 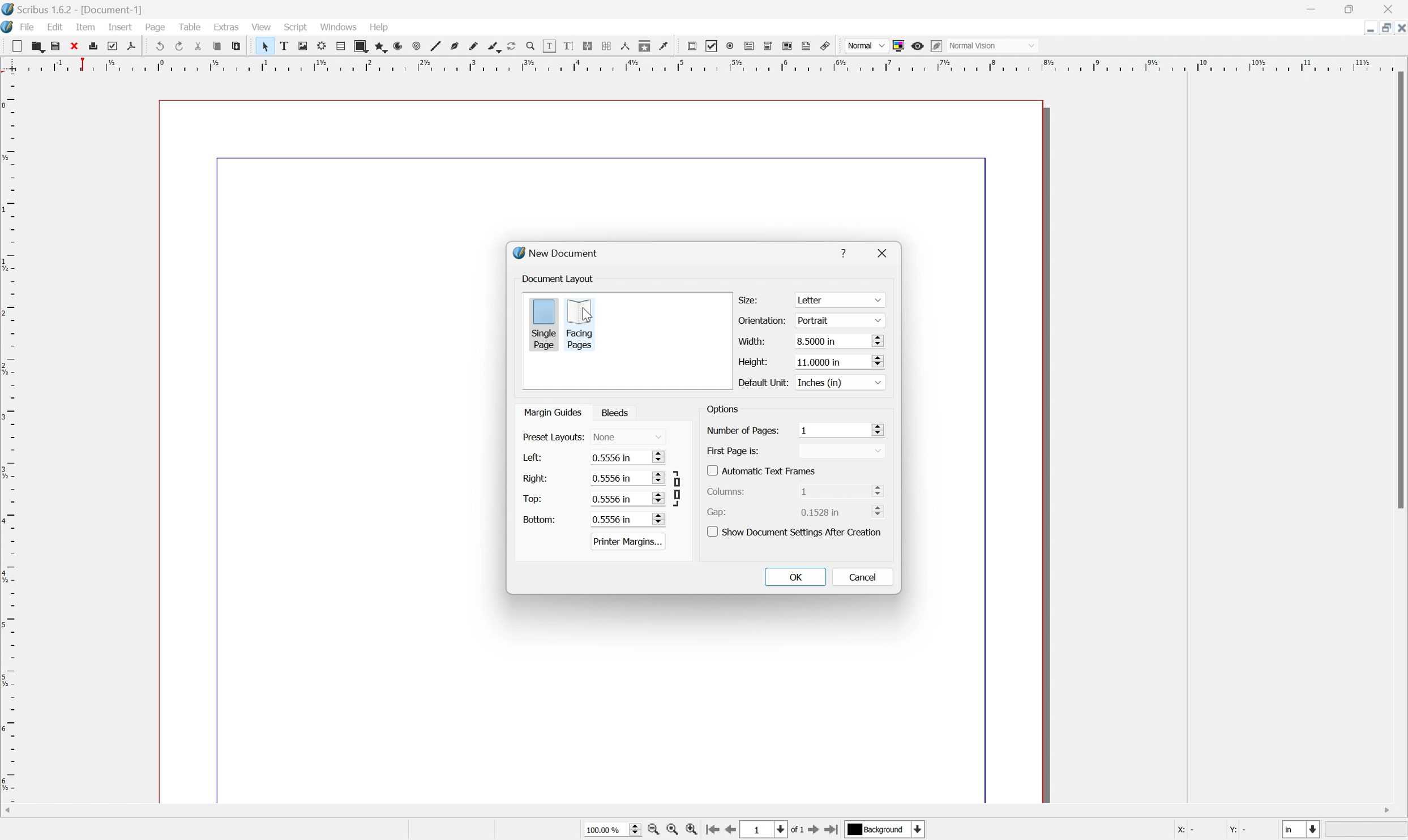 I want to click on Bottom:, so click(x=540, y=519).